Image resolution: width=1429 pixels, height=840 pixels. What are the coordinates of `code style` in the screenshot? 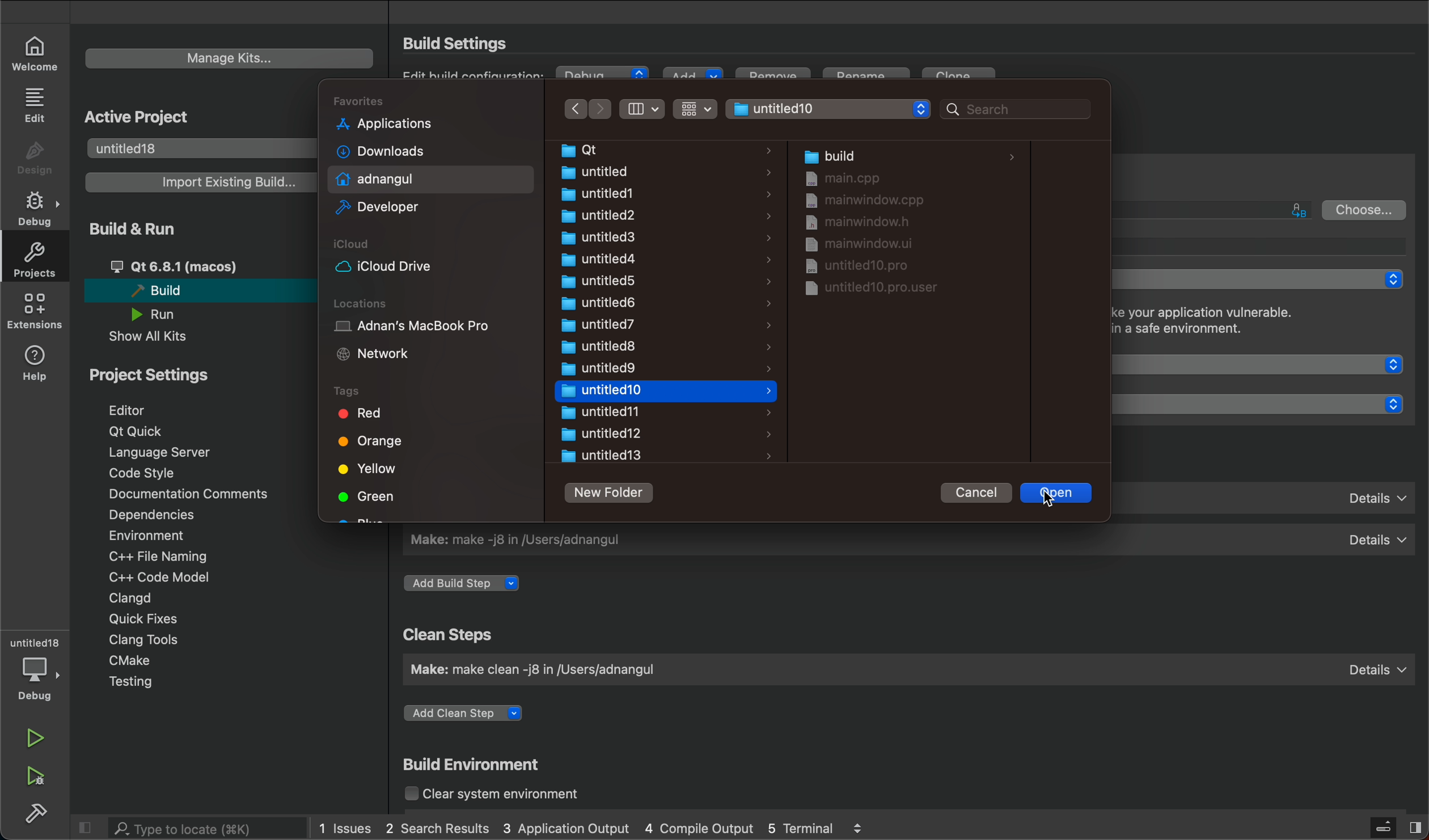 It's located at (142, 474).